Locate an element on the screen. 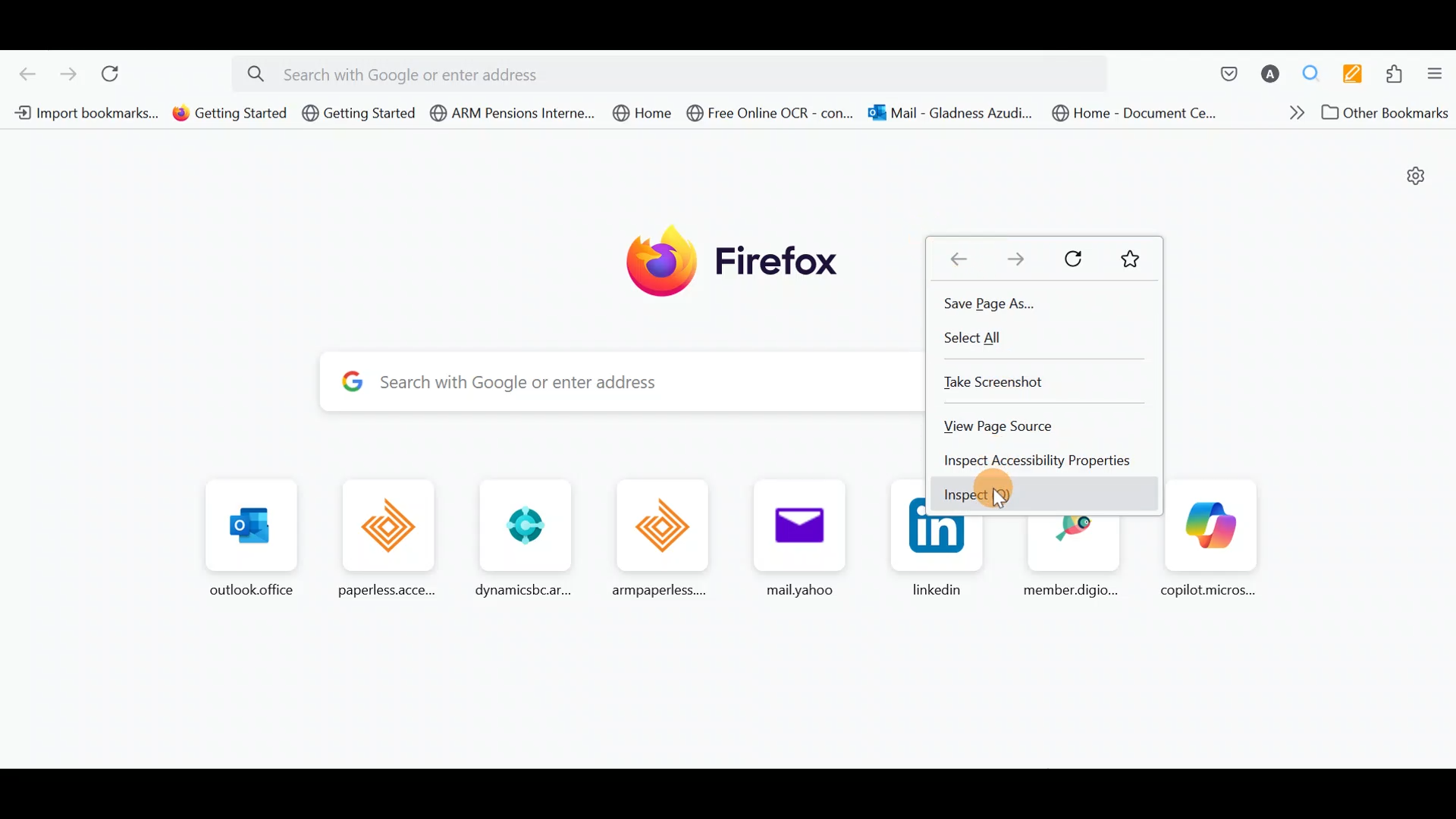  cursor is located at coordinates (996, 500).